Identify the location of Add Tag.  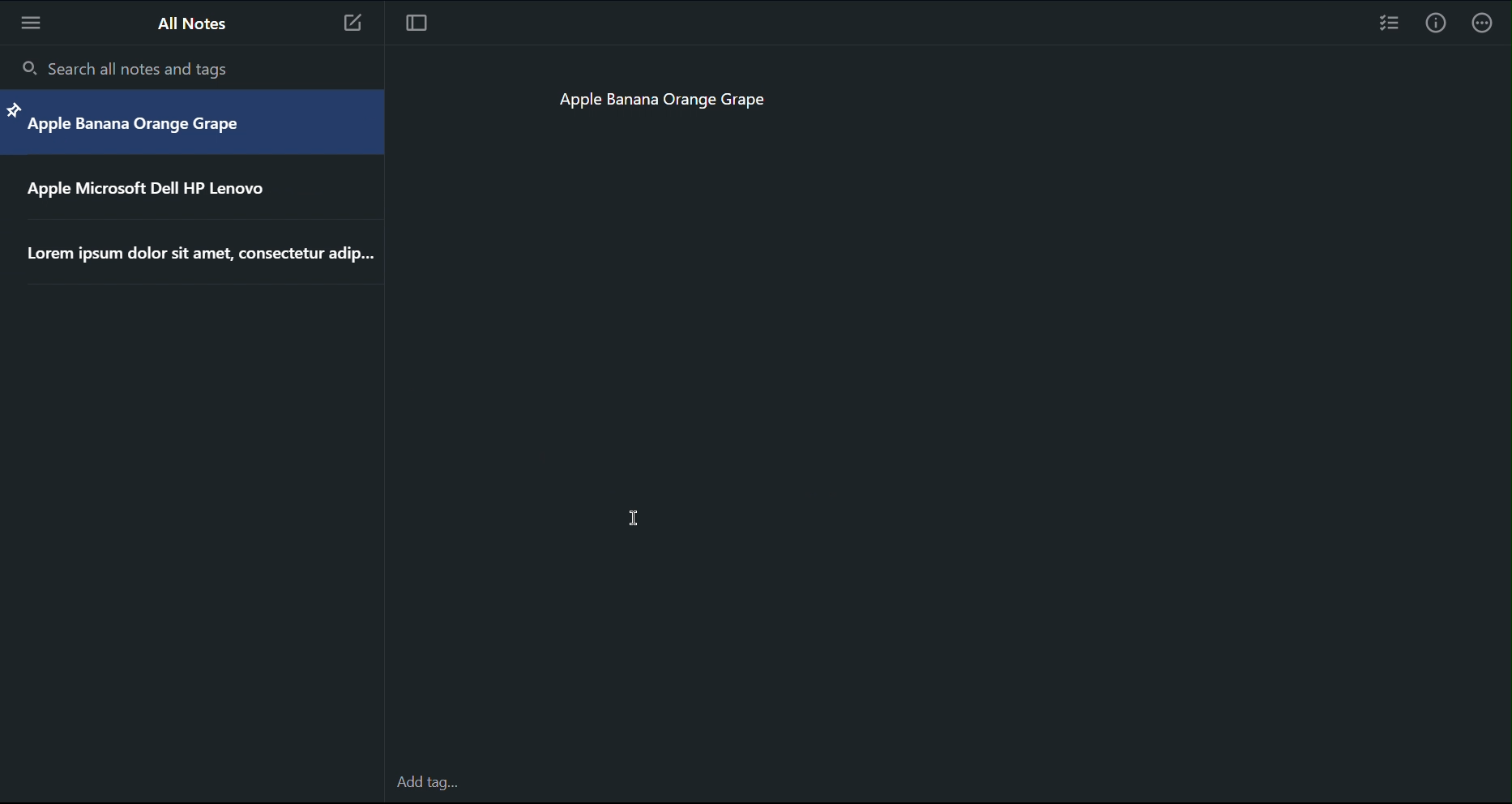
(430, 783).